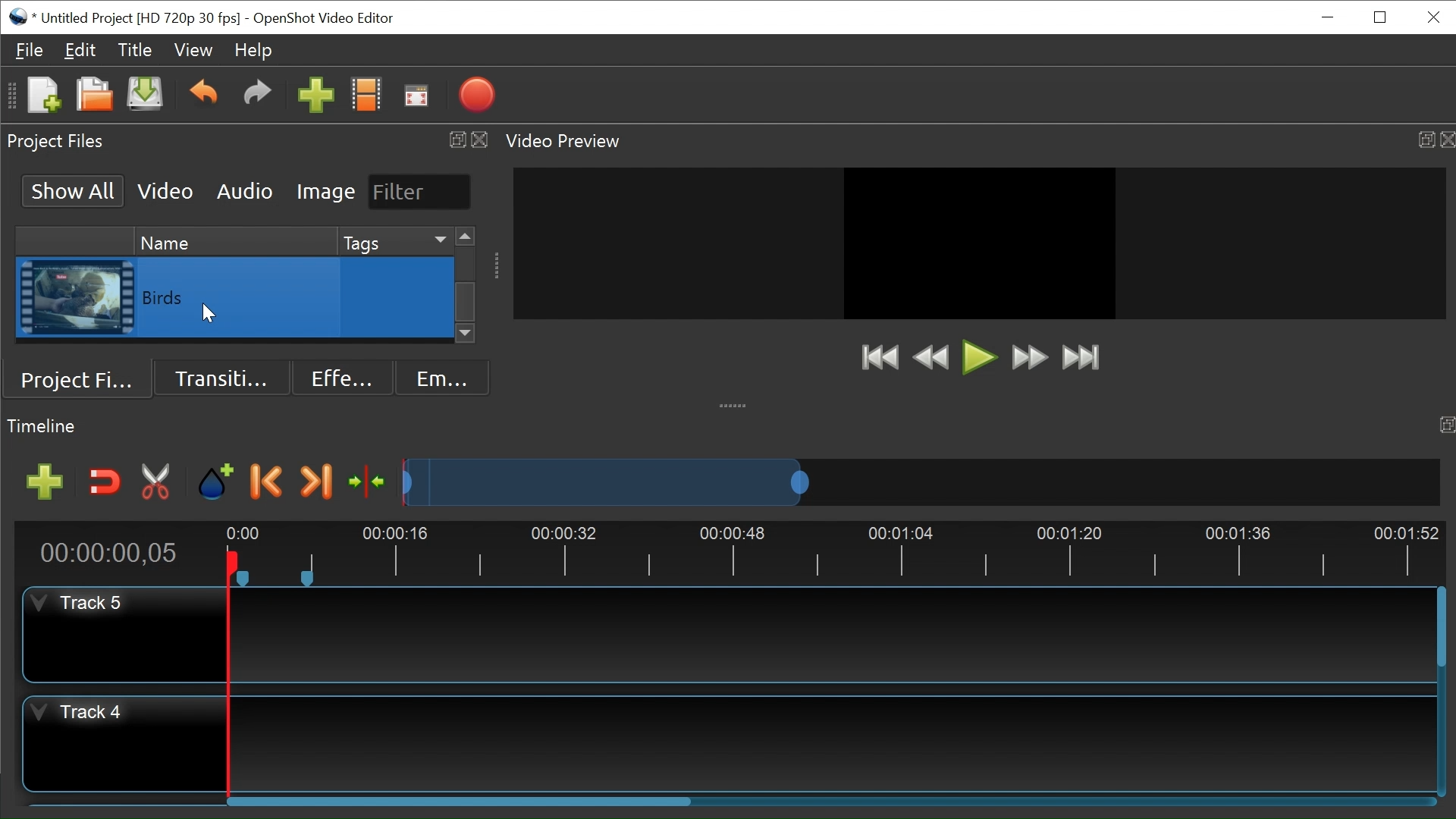 The image size is (1456, 819). What do you see at coordinates (439, 377) in the screenshot?
I see `Emoji` at bounding box center [439, 377].